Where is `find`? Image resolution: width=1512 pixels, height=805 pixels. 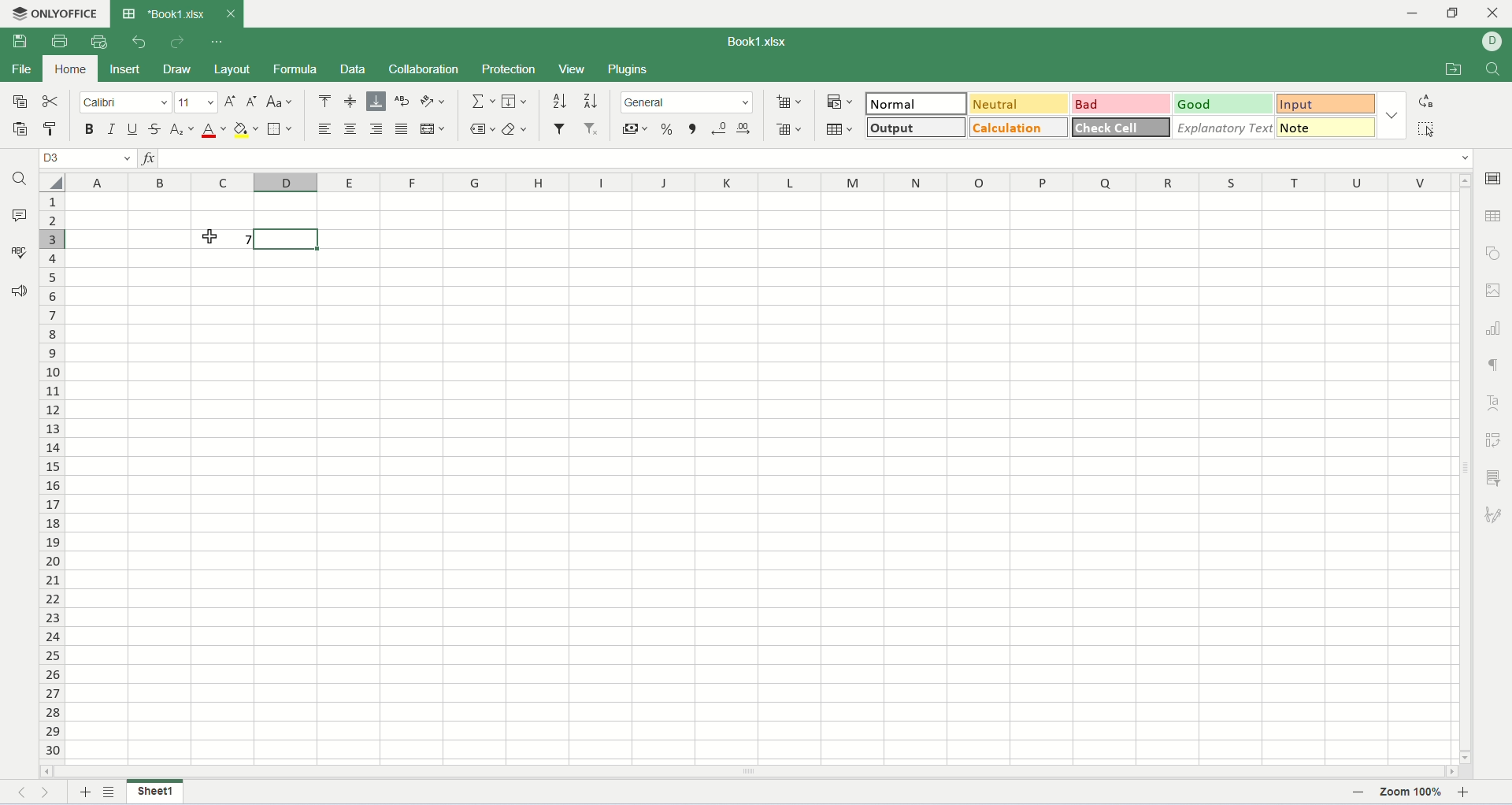
find is located at coordinates (1496, 70).